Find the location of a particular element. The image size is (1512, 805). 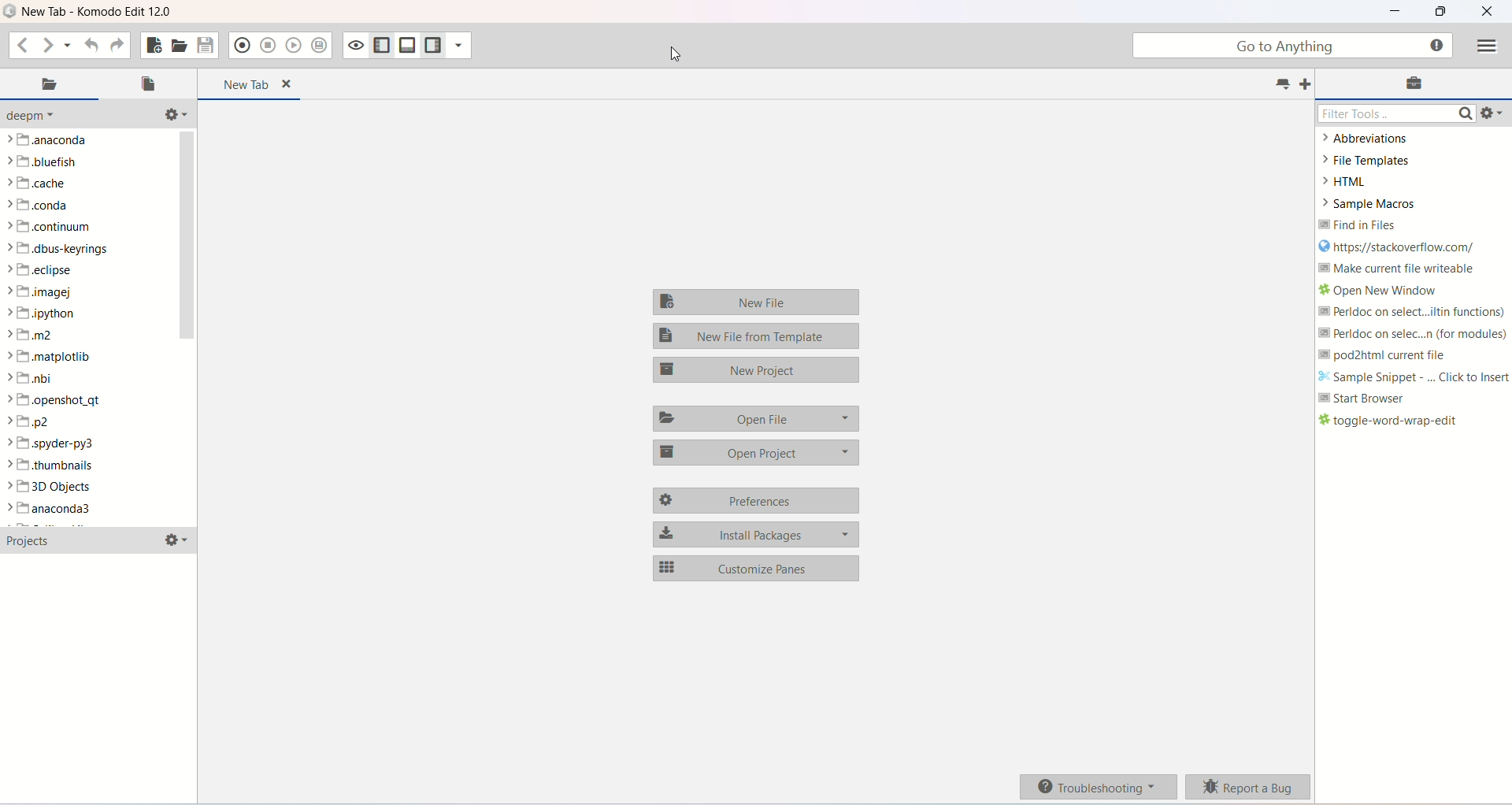

sample snippet is located at coordinates (1414, 378).